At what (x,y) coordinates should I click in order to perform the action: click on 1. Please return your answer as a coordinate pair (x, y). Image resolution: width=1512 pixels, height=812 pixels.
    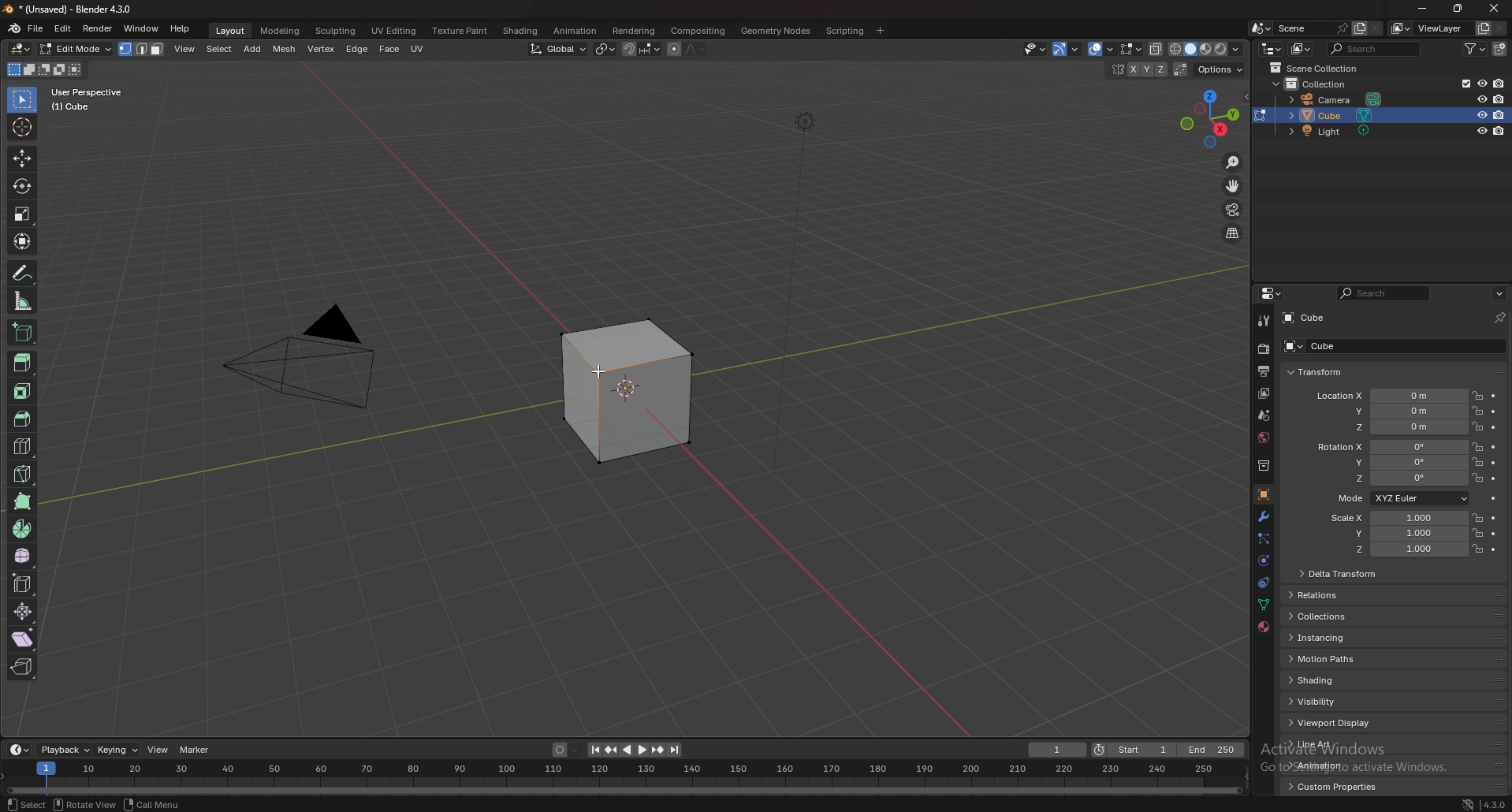
    Looking at the image, I should click on (1055, 750).